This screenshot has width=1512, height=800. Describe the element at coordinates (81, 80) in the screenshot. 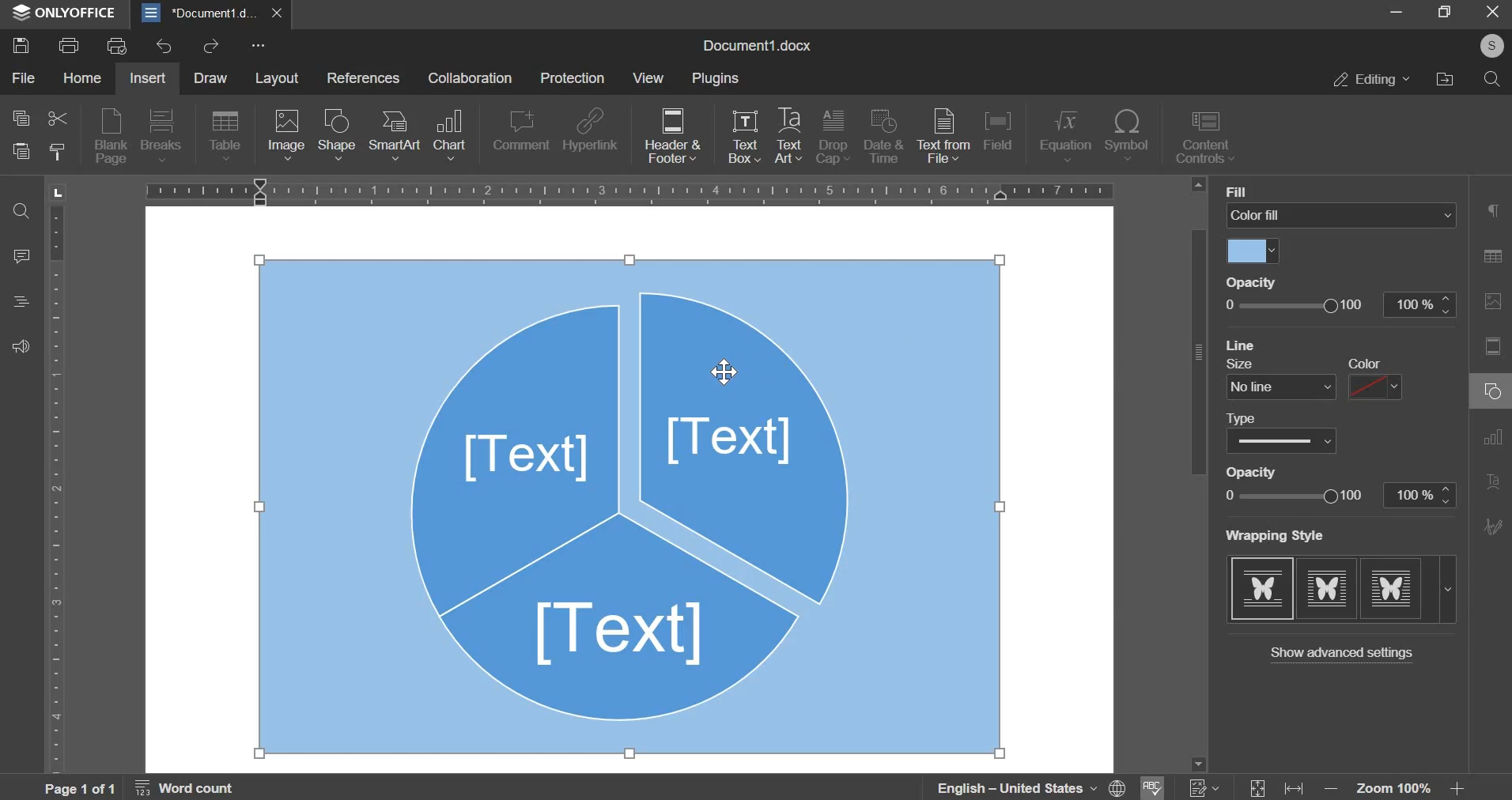

I see `home` at that location.